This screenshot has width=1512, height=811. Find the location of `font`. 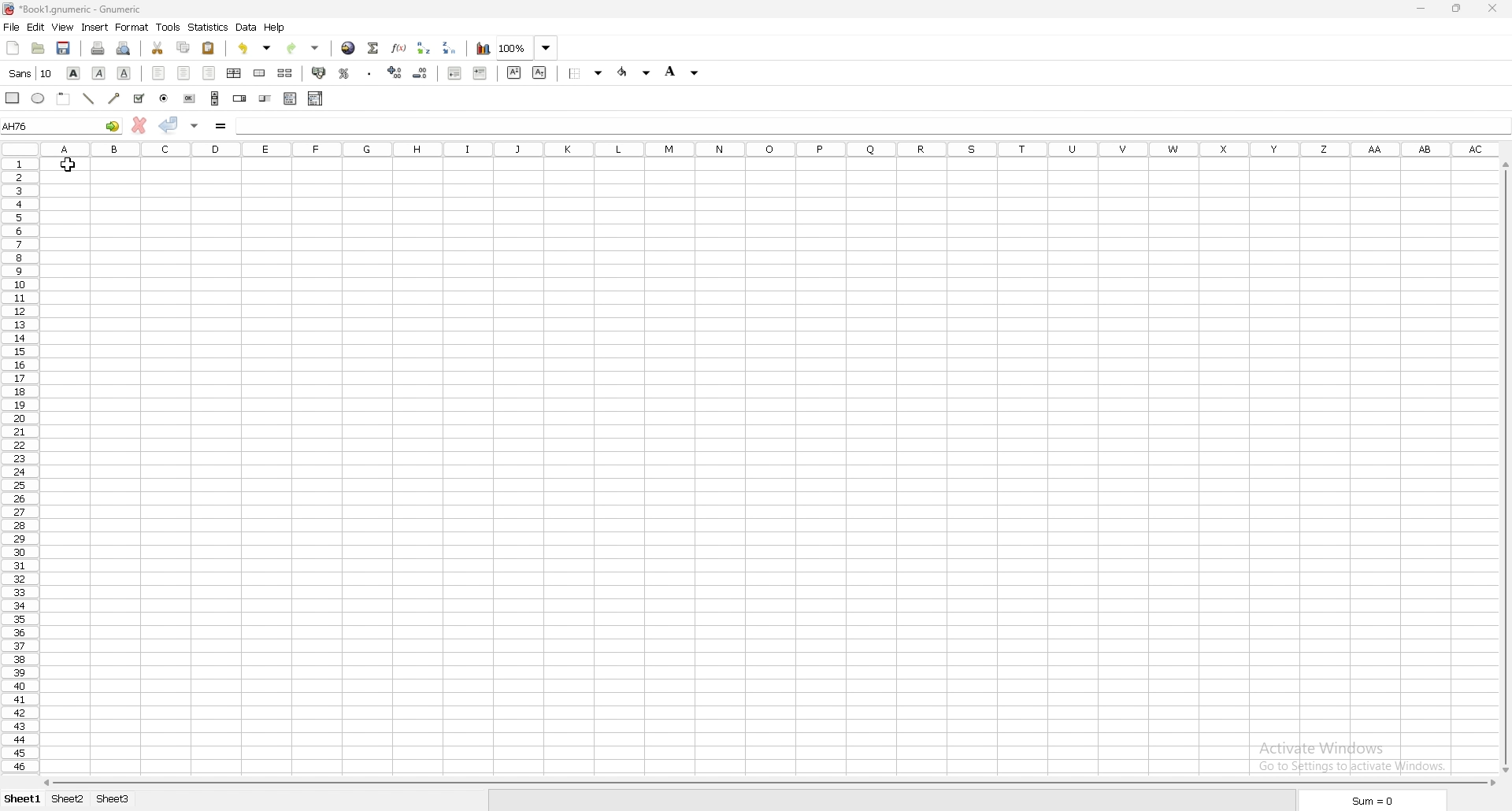

font is located at coordinates (31, 74).